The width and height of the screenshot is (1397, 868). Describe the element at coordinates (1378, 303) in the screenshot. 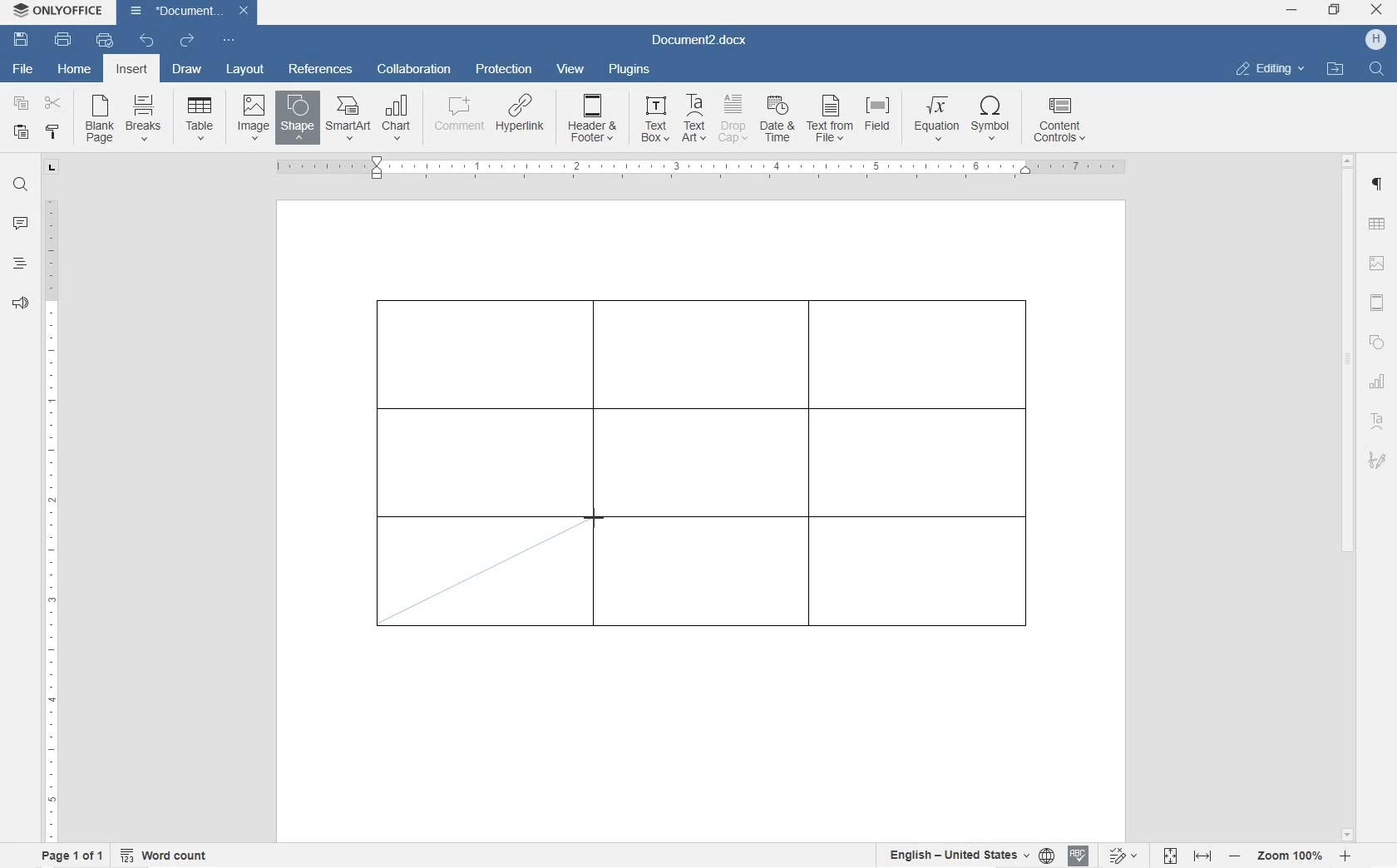

I see `header & footer` at that location.